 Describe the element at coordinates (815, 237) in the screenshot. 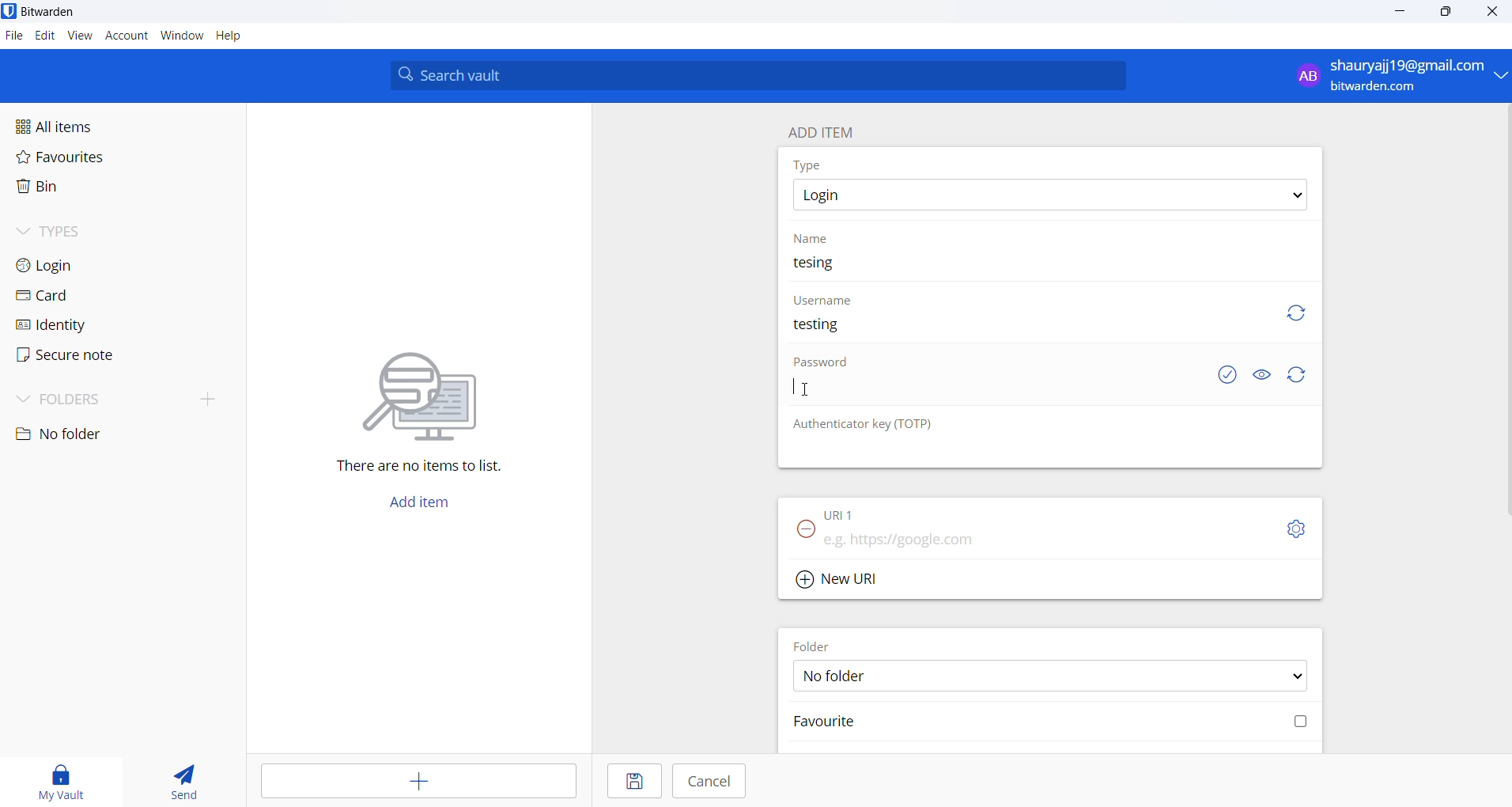

I see `Name` at that location.